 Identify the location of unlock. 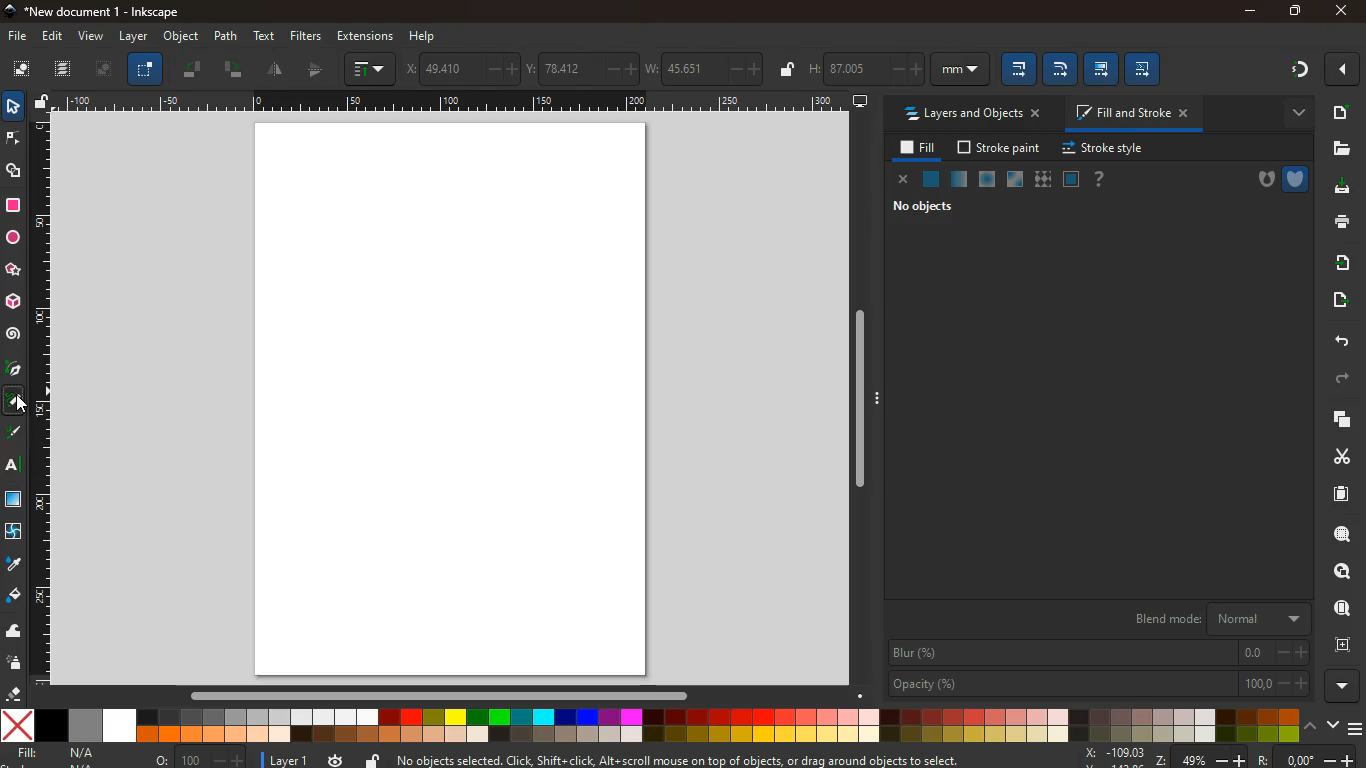
(373, 759).